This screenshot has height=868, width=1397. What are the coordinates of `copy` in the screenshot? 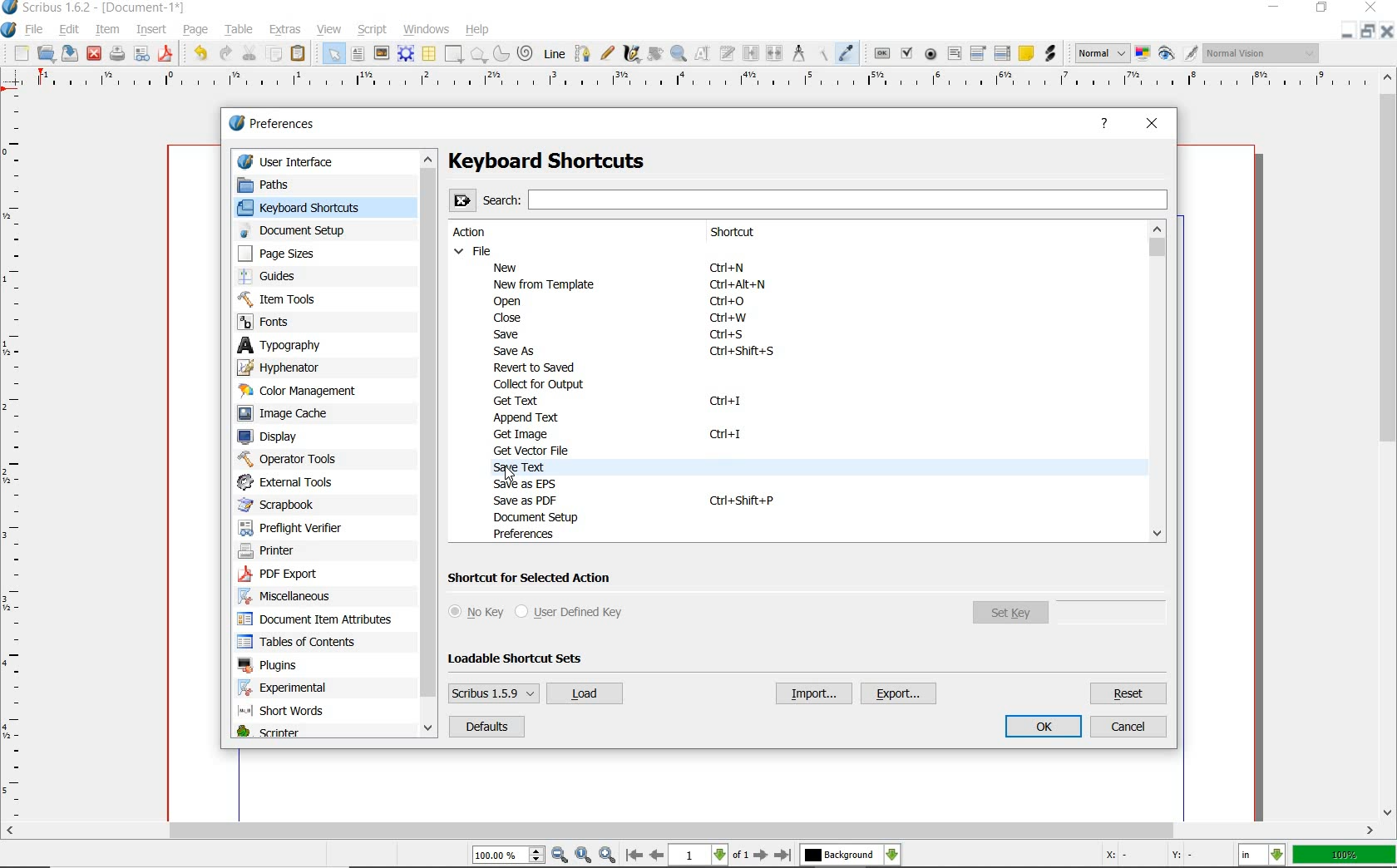 It's located at (274, 54).